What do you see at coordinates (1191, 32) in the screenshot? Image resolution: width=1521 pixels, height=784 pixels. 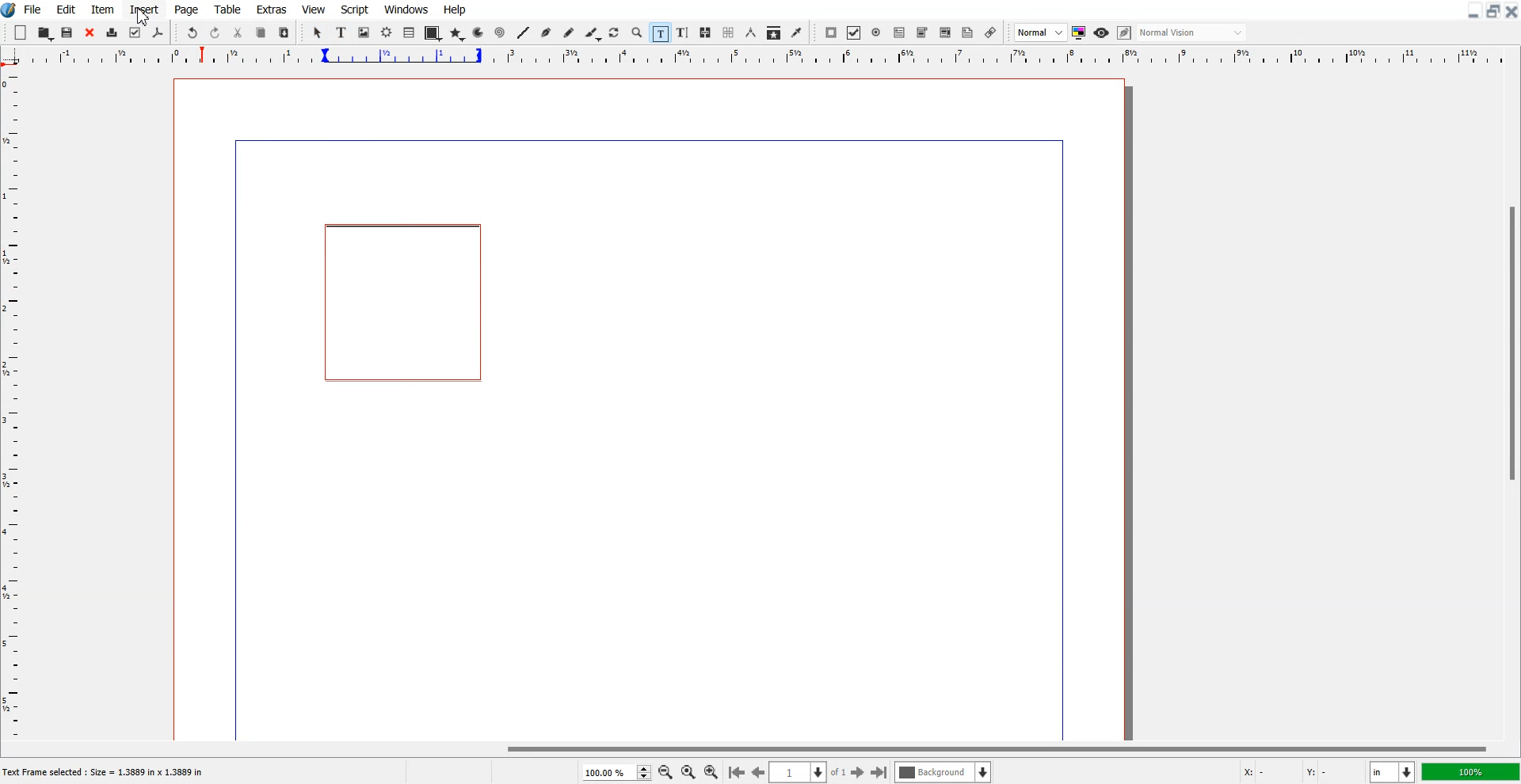 I see `Select the visual appearance` at bounding box center [1191, 32].